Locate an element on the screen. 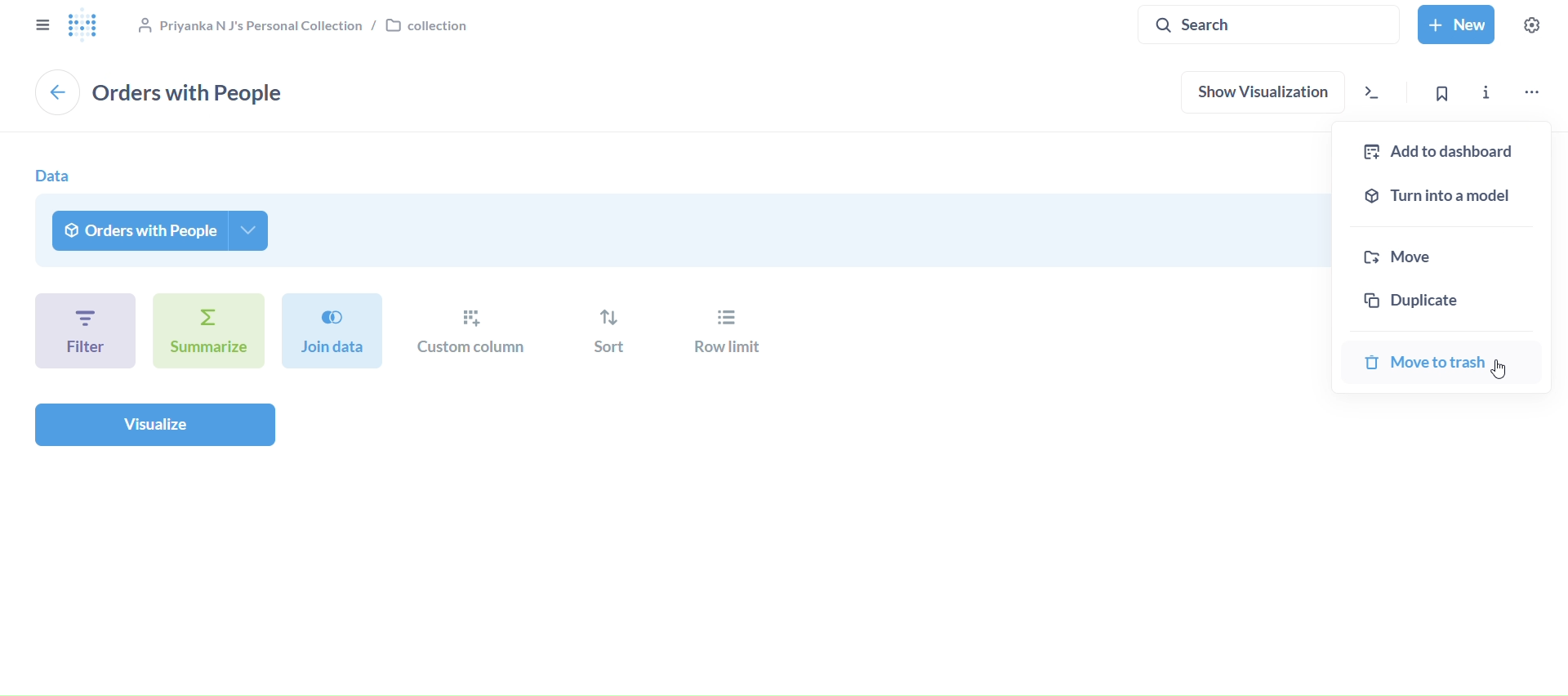  row limit is located at coordinates (731, 333).